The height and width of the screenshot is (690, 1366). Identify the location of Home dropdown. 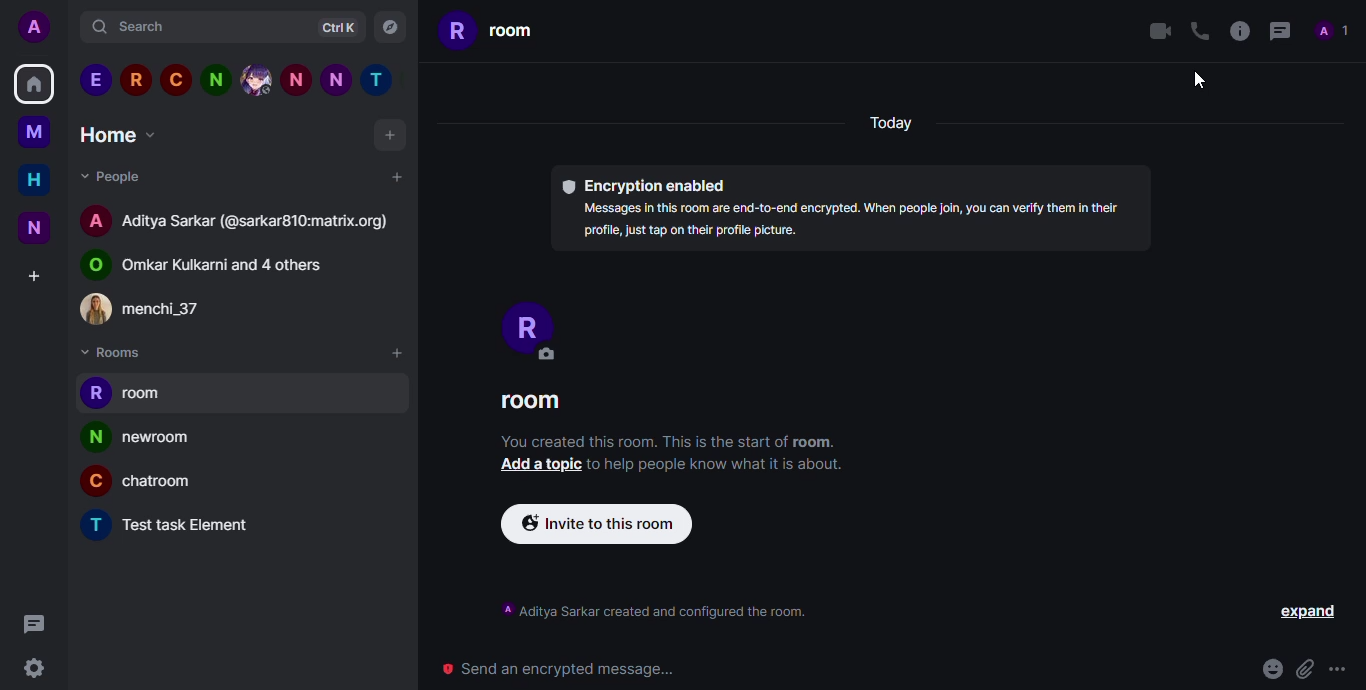
(123, 135).